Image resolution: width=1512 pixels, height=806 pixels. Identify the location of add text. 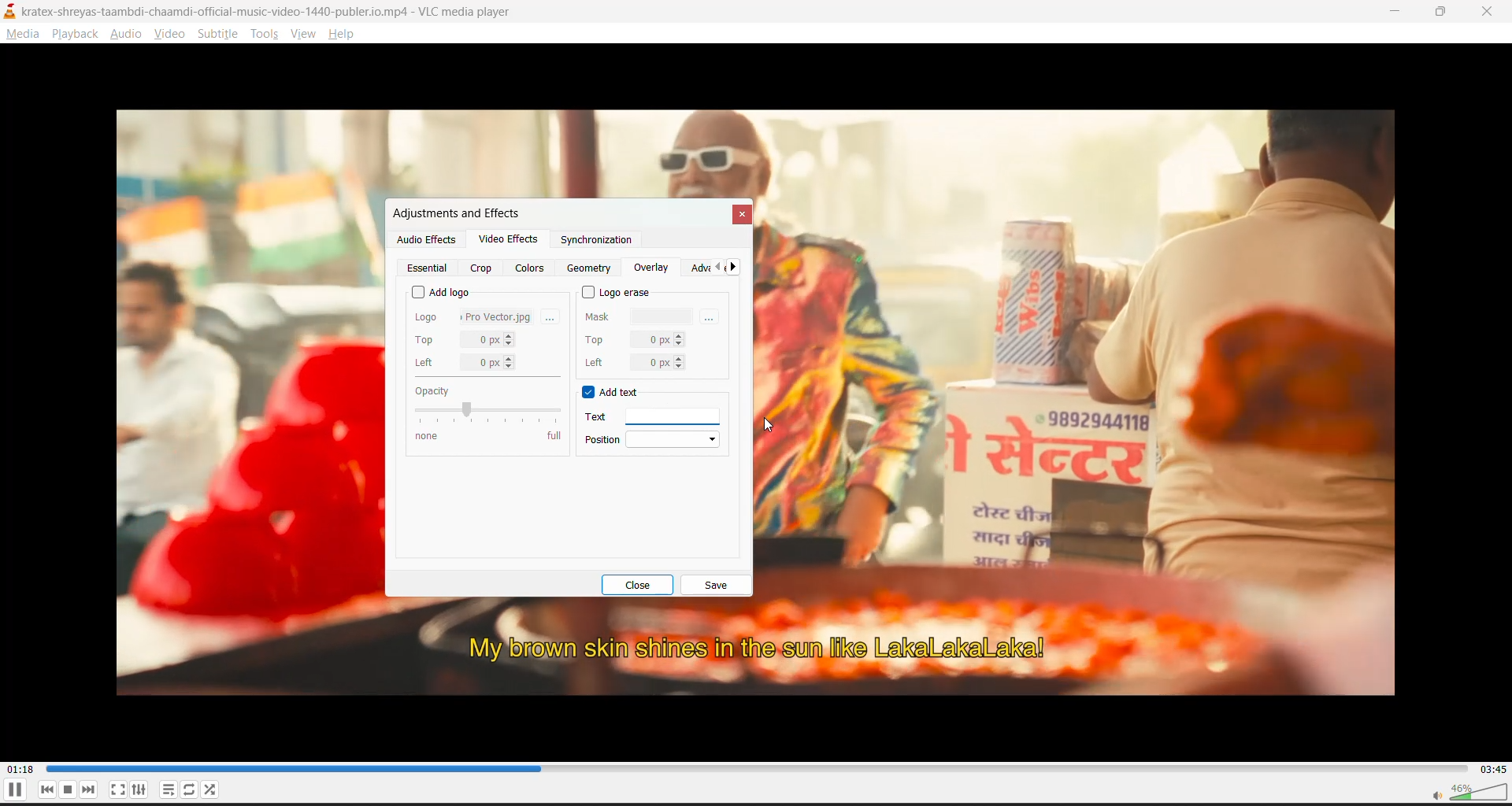
(613, 394).